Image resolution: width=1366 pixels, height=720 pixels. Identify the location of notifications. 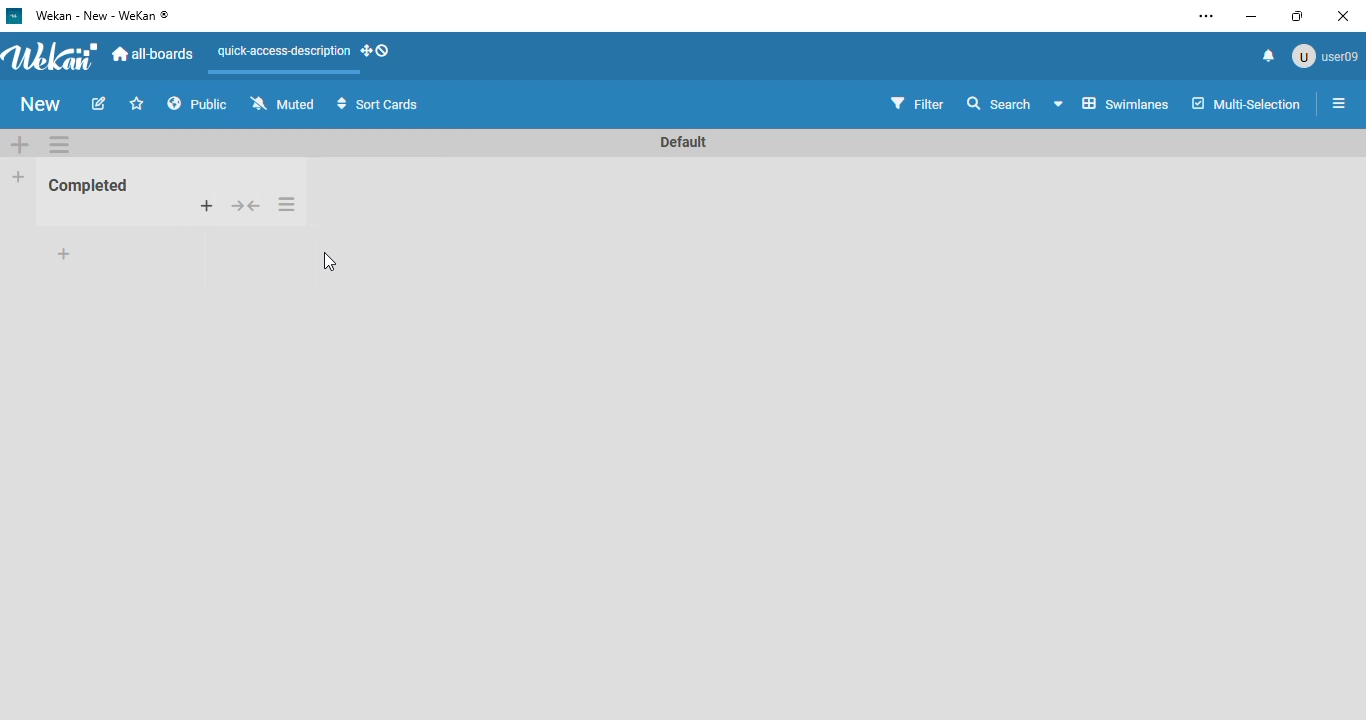
(1270, 55).